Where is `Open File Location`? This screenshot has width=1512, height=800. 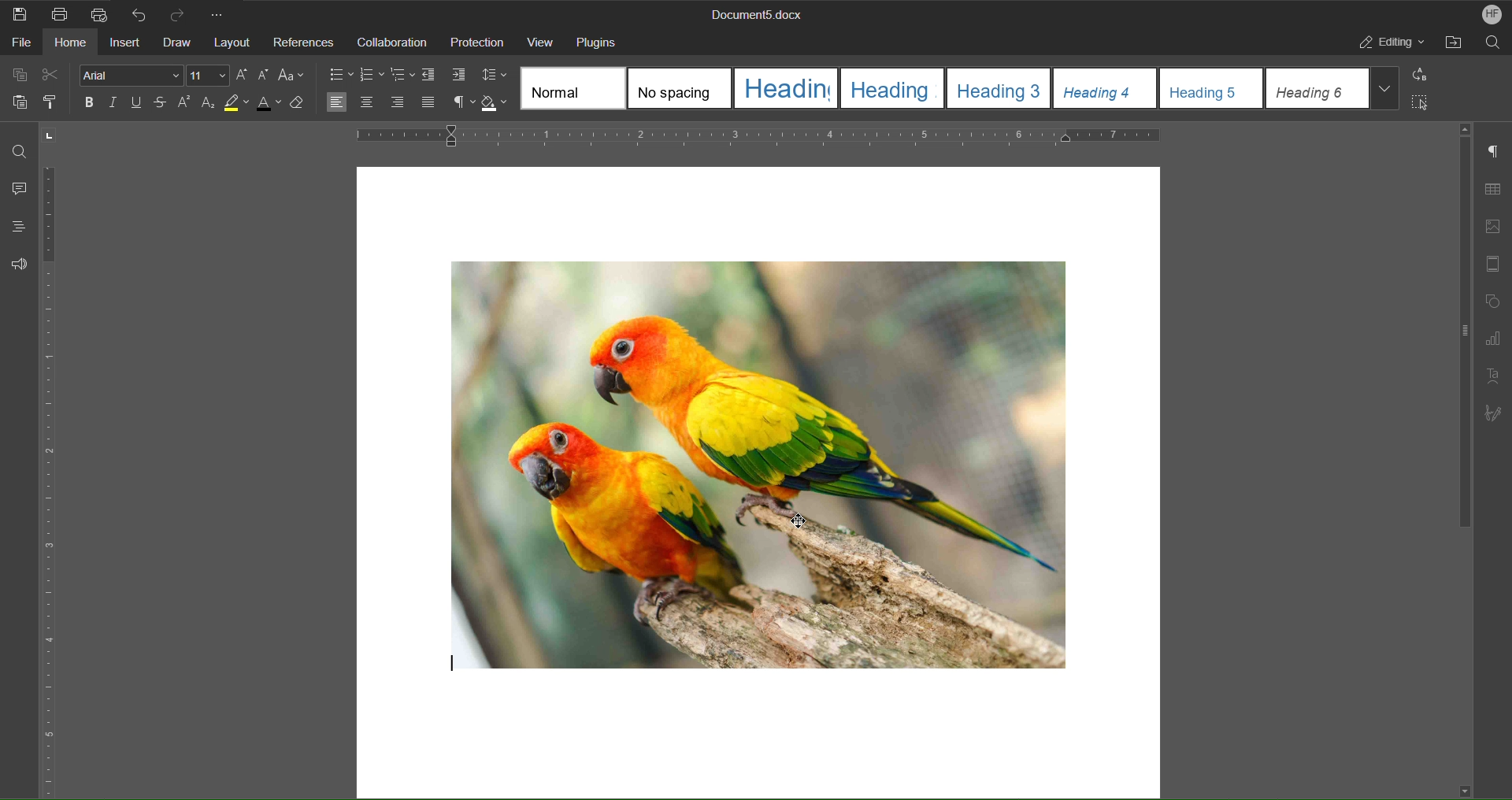 Open File Location is located at coordinates (1456, 45).